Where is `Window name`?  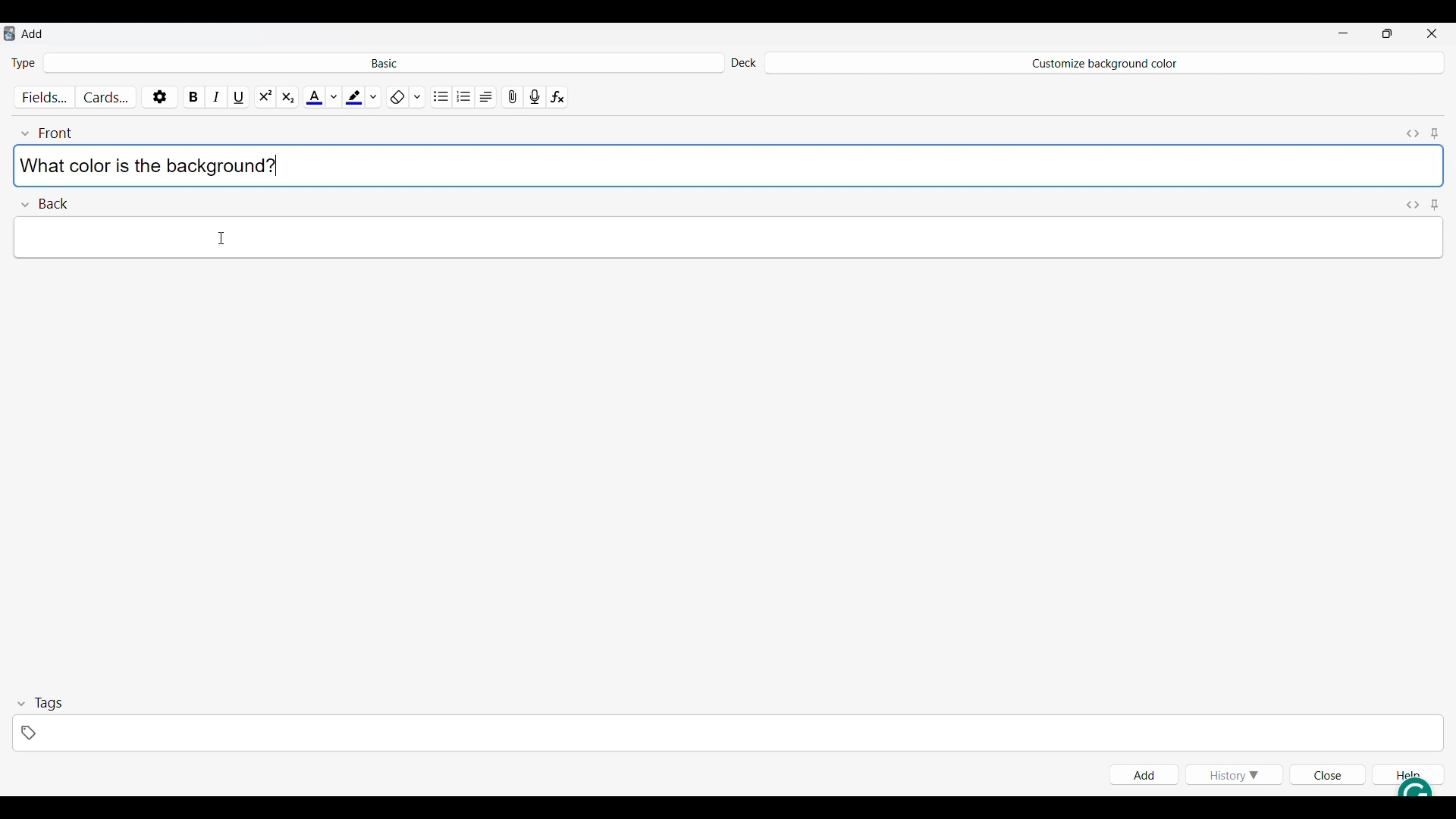 Window name is located at coordinates (33, 33).